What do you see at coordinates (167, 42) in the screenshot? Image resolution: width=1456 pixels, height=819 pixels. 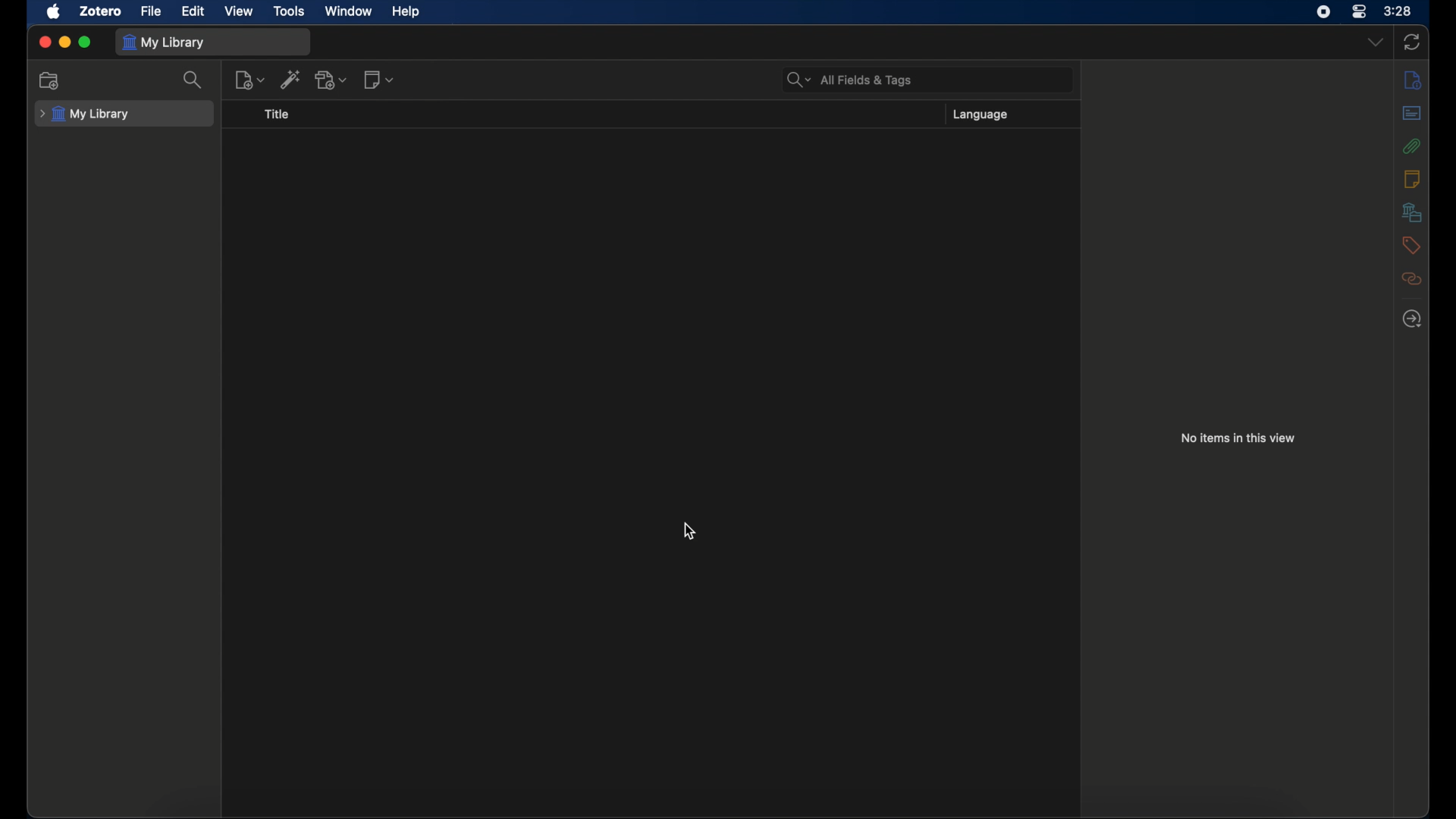 I see `my library` at bounding box center [167, 42].